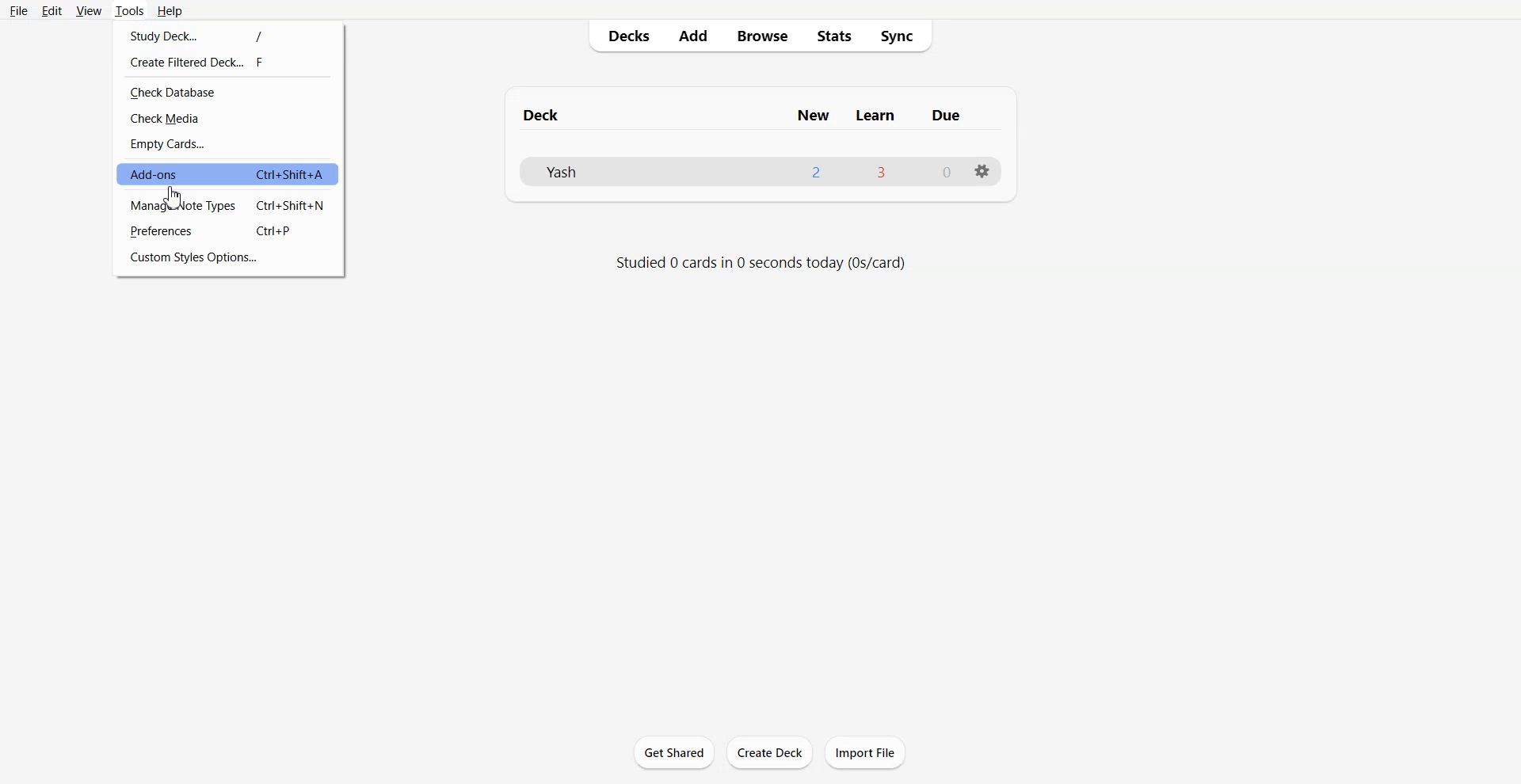 Image resolution: width=1521 pixels, height=784 pixels. Describe the element at coordinates (876, 115) in the screenshot. I see `Learn` at that location.